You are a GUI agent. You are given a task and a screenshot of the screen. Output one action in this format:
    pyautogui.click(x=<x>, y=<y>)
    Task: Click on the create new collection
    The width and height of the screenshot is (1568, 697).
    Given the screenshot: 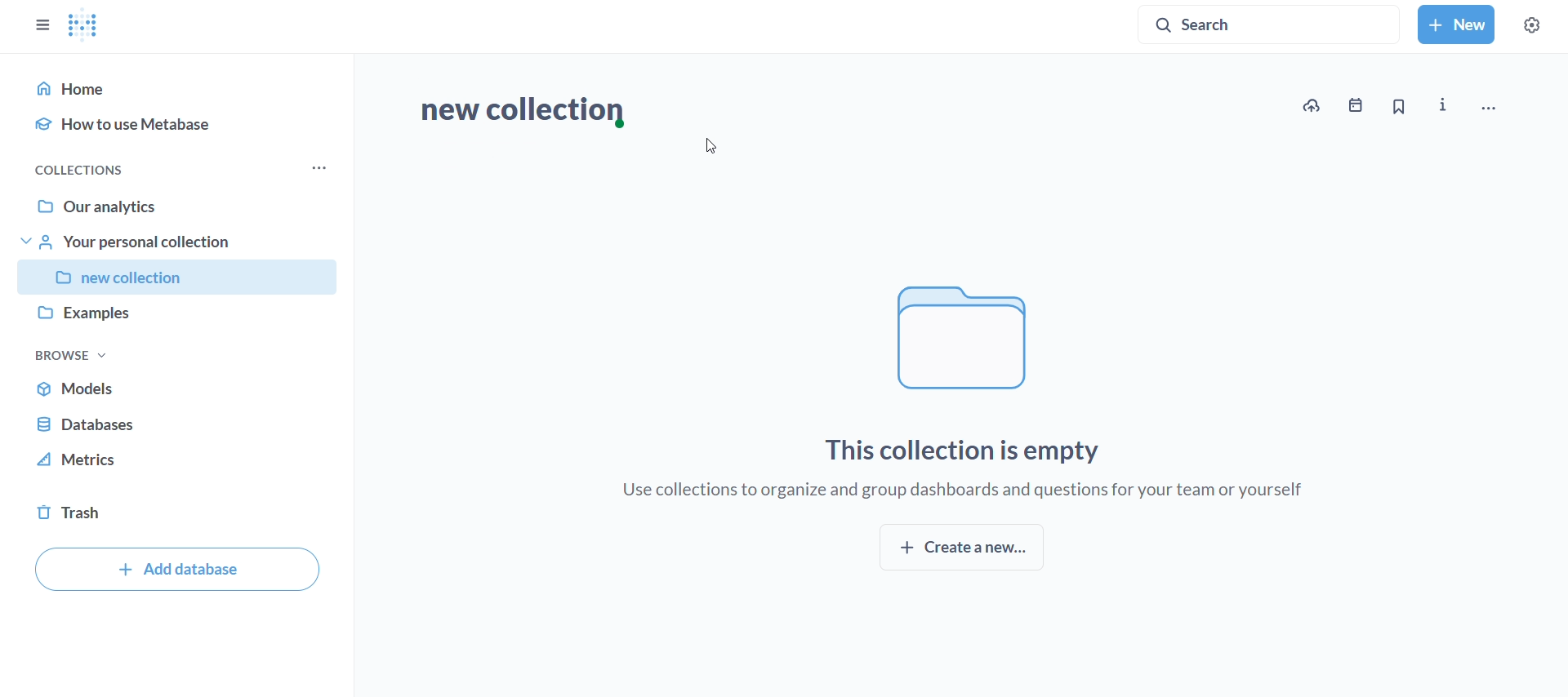 What is the action you would take?
    pyautogui.click(x=961, y=548)
    